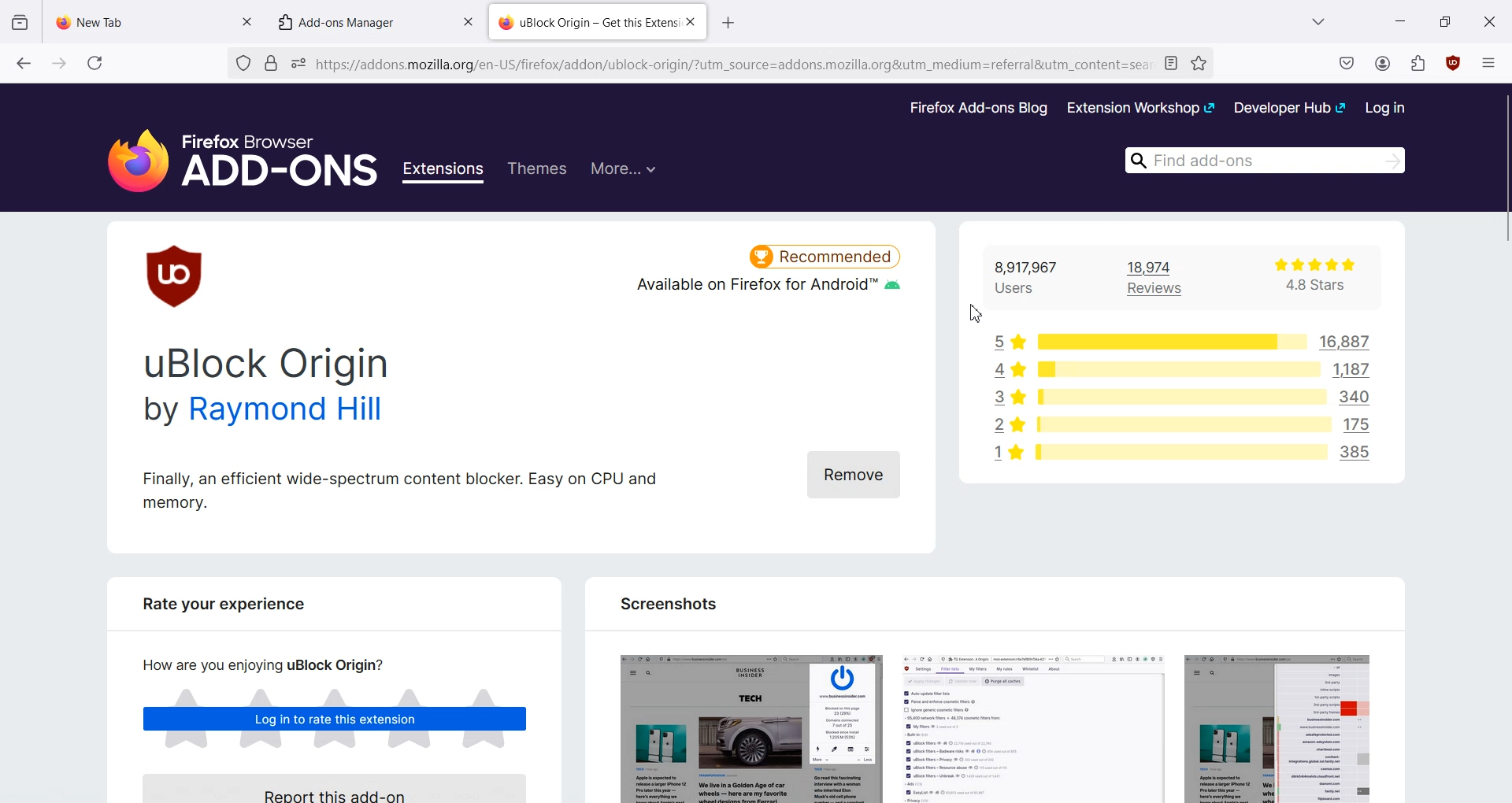 The height and width of the screenshot is (803, 1512). What do you see at coordinates (228, 152) in the screenshot?
I see `Firefox Browser Add-Ons` at bounding box center [228, 152].